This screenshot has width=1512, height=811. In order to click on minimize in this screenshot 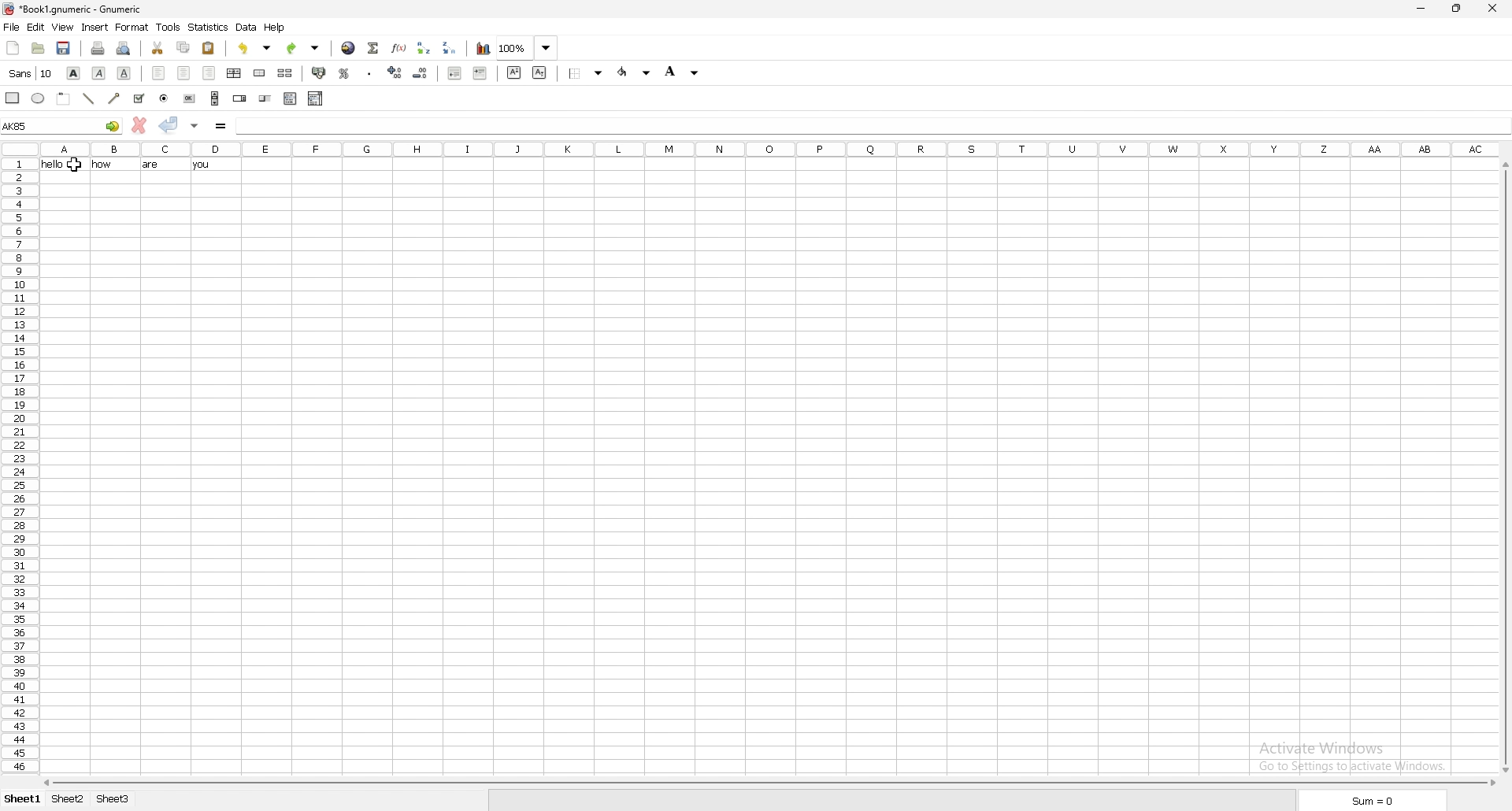, I will do `click(1425, 7)`.